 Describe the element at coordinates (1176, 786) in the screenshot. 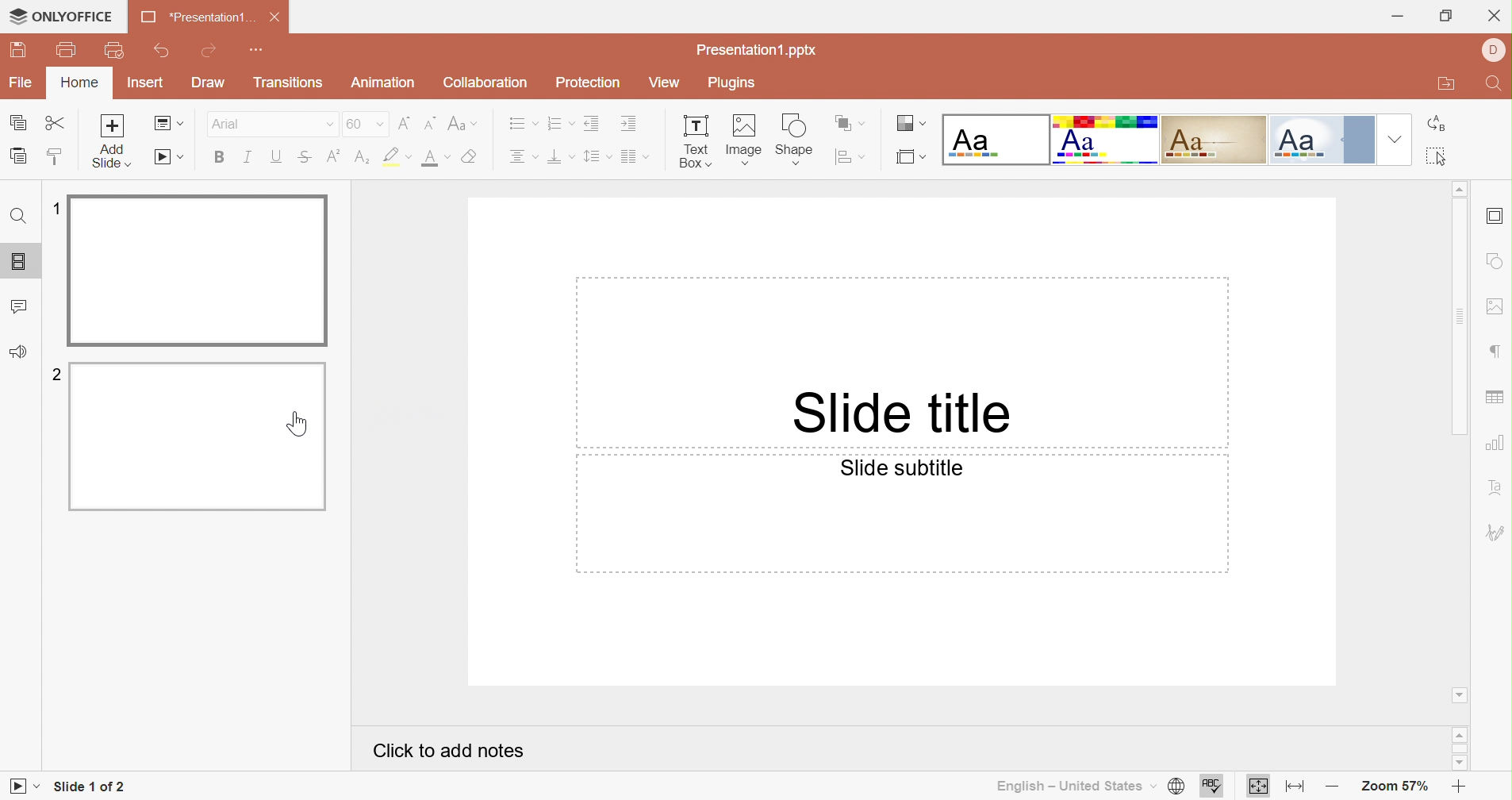

I see `Set document language` at that location.